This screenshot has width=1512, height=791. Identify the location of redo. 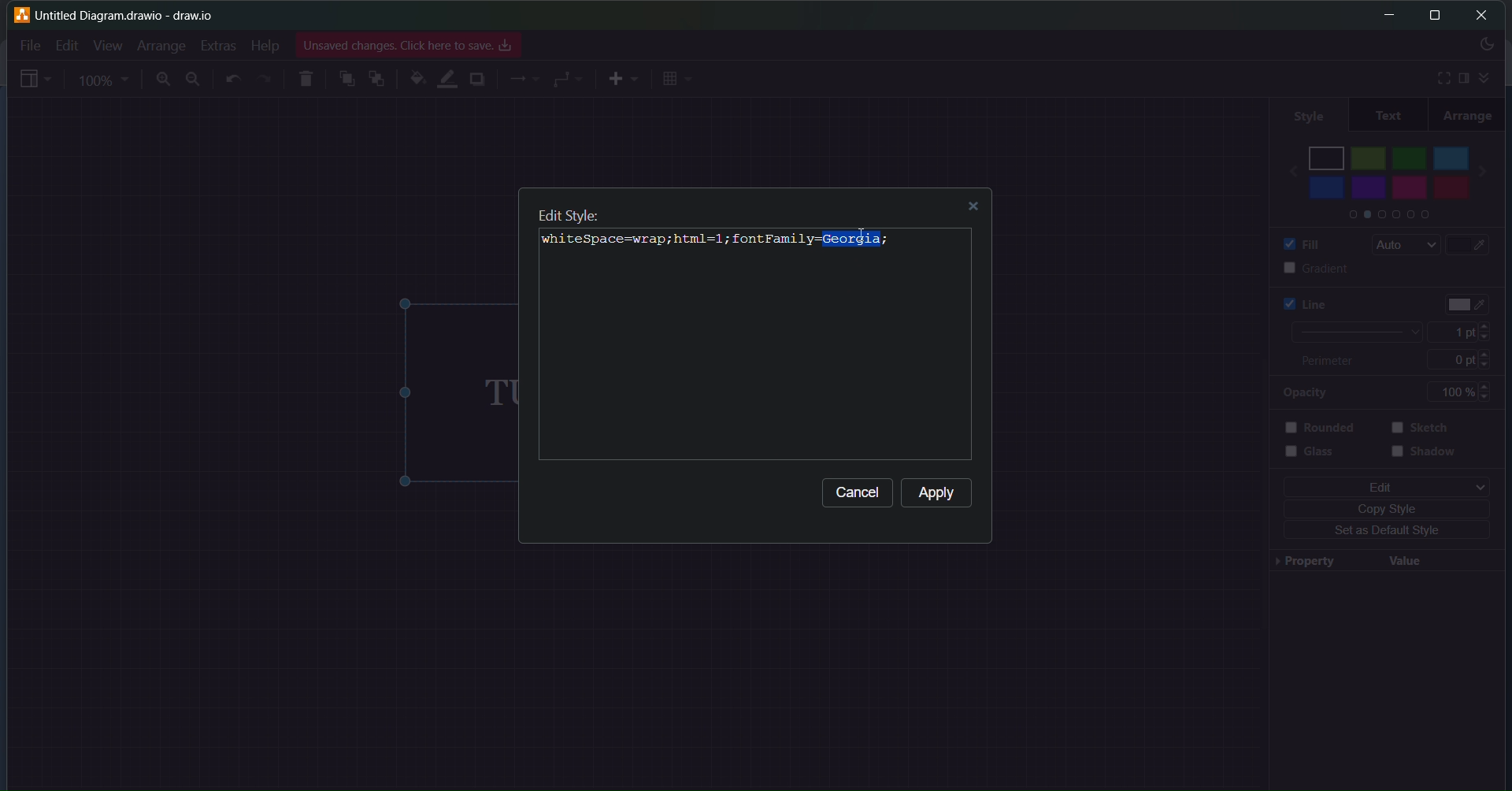
(265, 79).